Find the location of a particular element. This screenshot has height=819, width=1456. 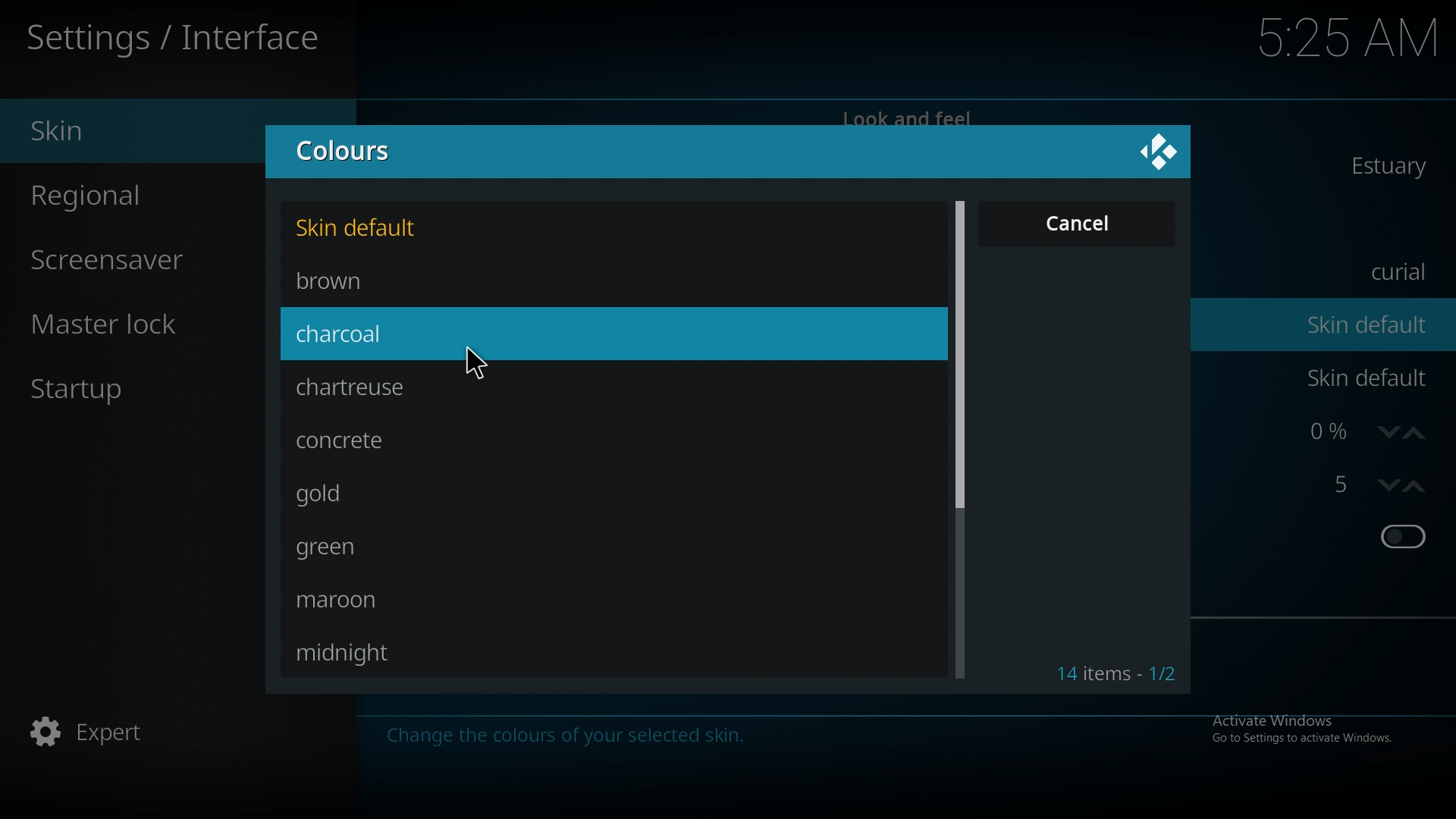

curial is located at coordinates (1398, 271).